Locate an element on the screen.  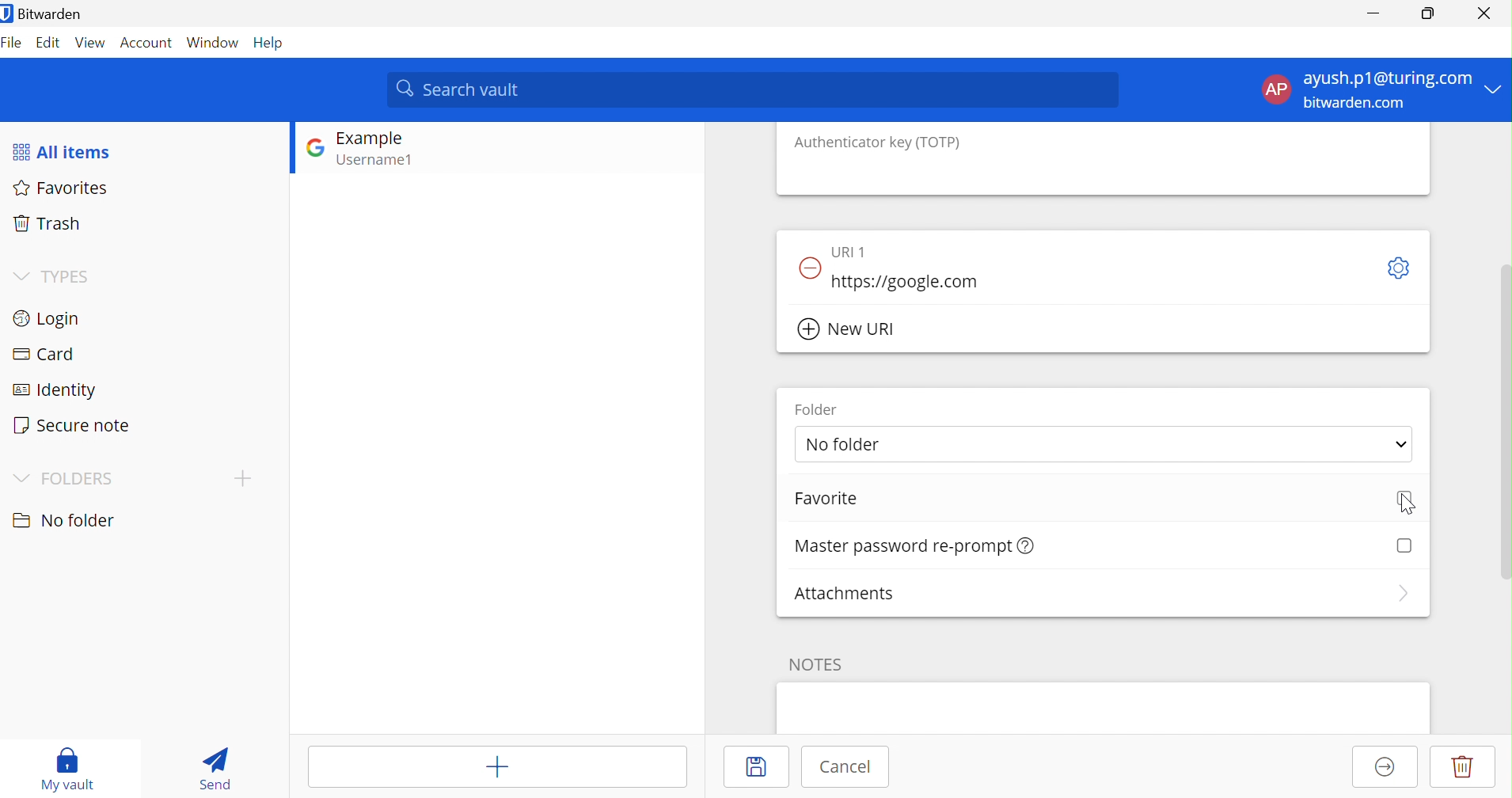
 is located at coordinates (51, 223).